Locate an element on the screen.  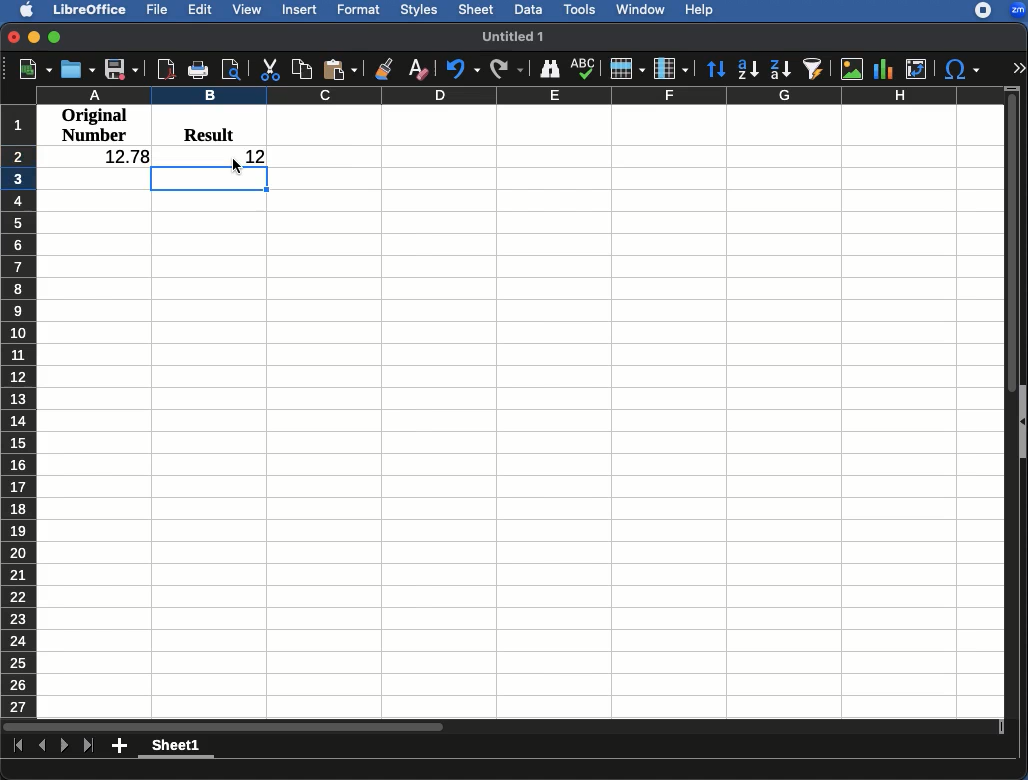
12.78 is located at coordinates (119, 157).